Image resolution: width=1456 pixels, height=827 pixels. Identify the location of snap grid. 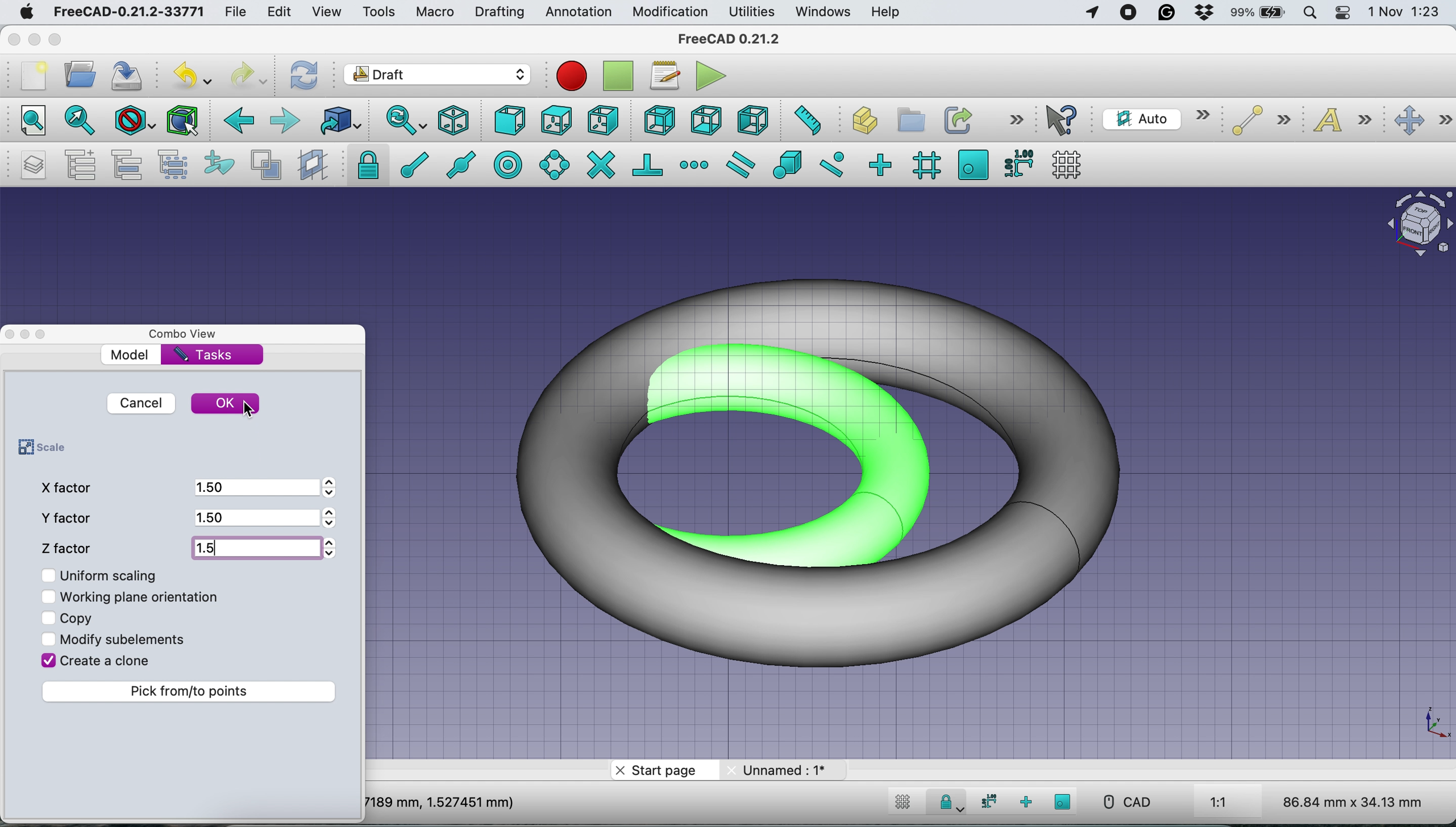
(924, 166).